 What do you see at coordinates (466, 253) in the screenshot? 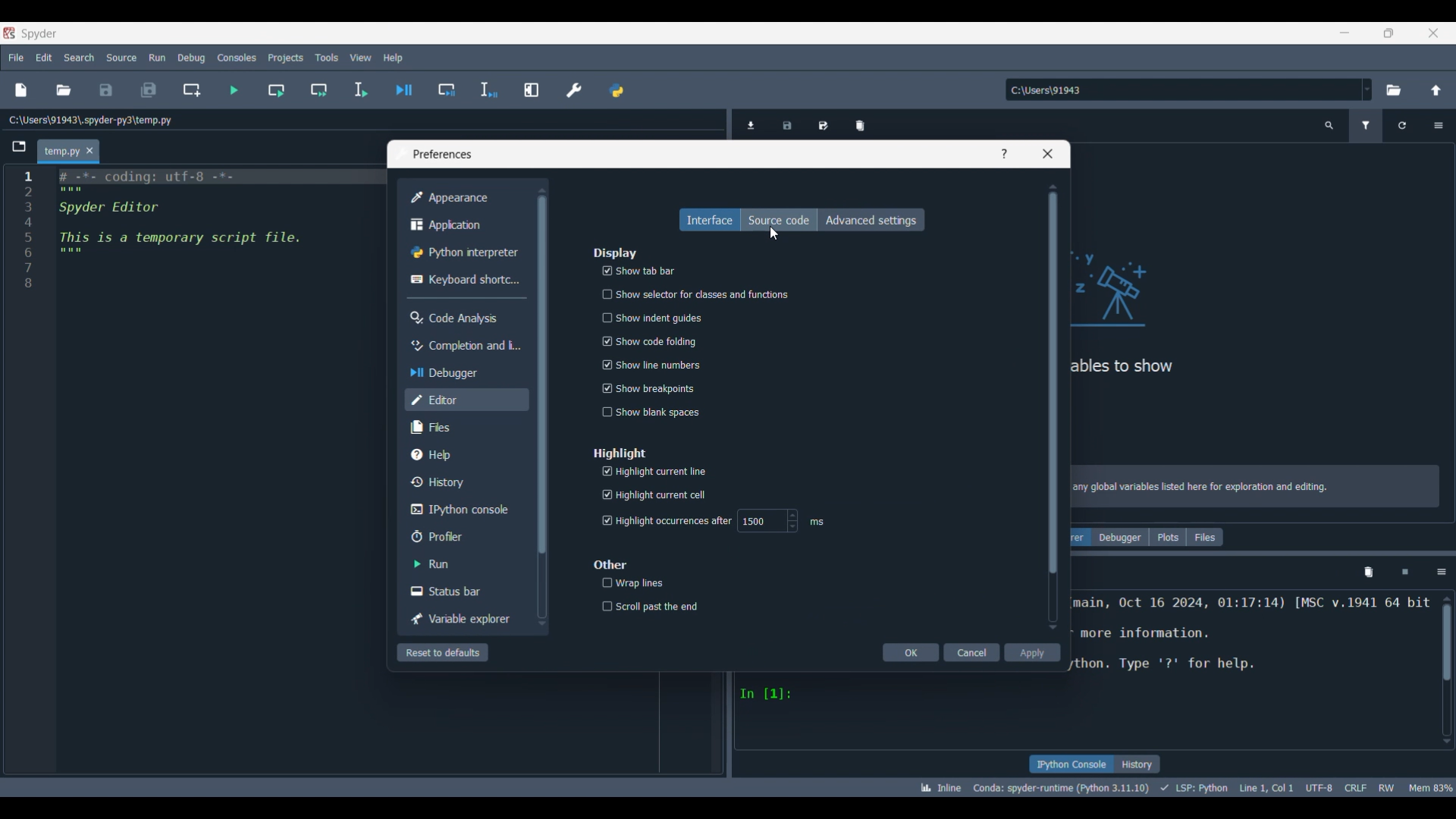
I see `Python interpreter` at bounding box center [466, 253].